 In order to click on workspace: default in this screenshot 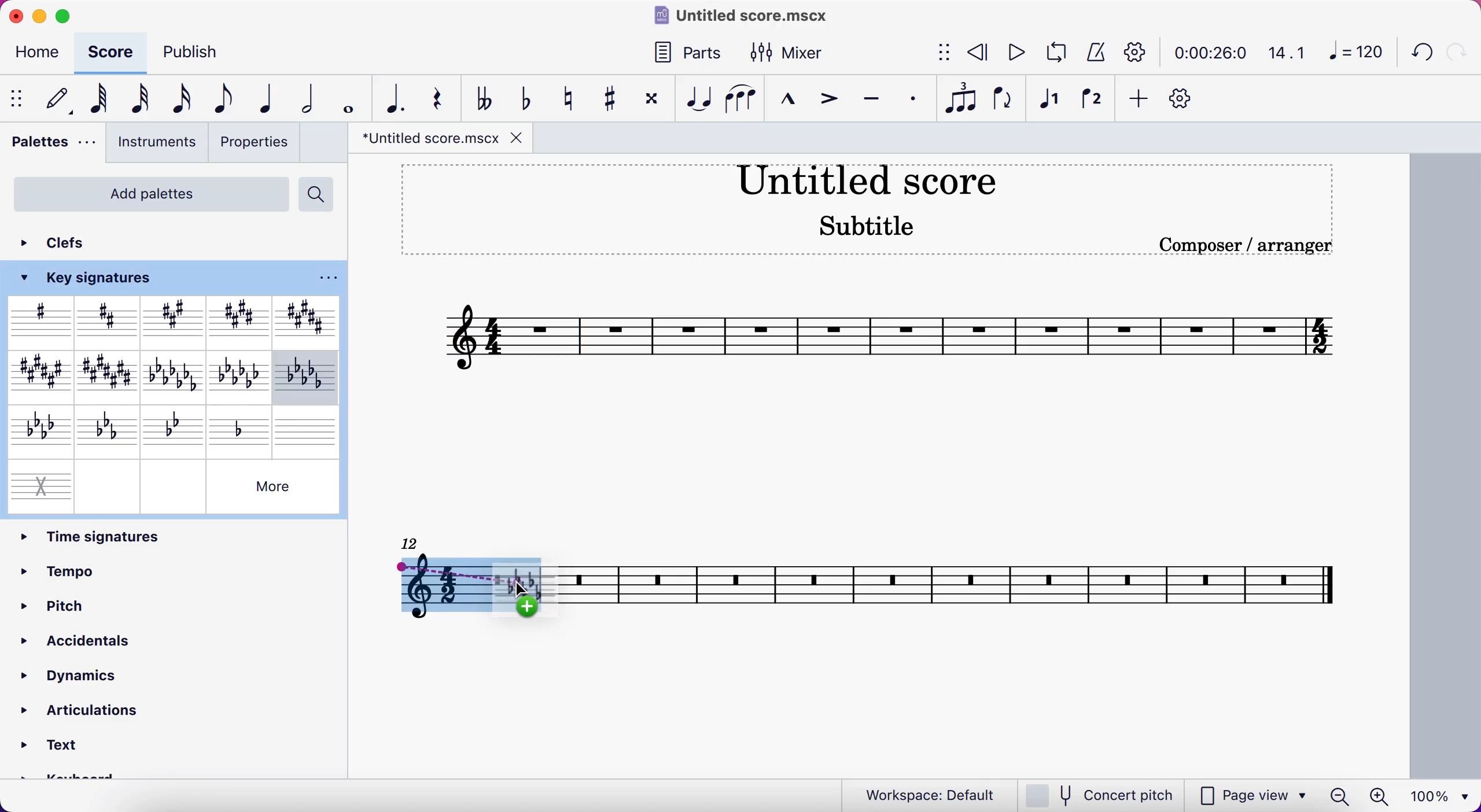, I will do `click(918, 793)`.